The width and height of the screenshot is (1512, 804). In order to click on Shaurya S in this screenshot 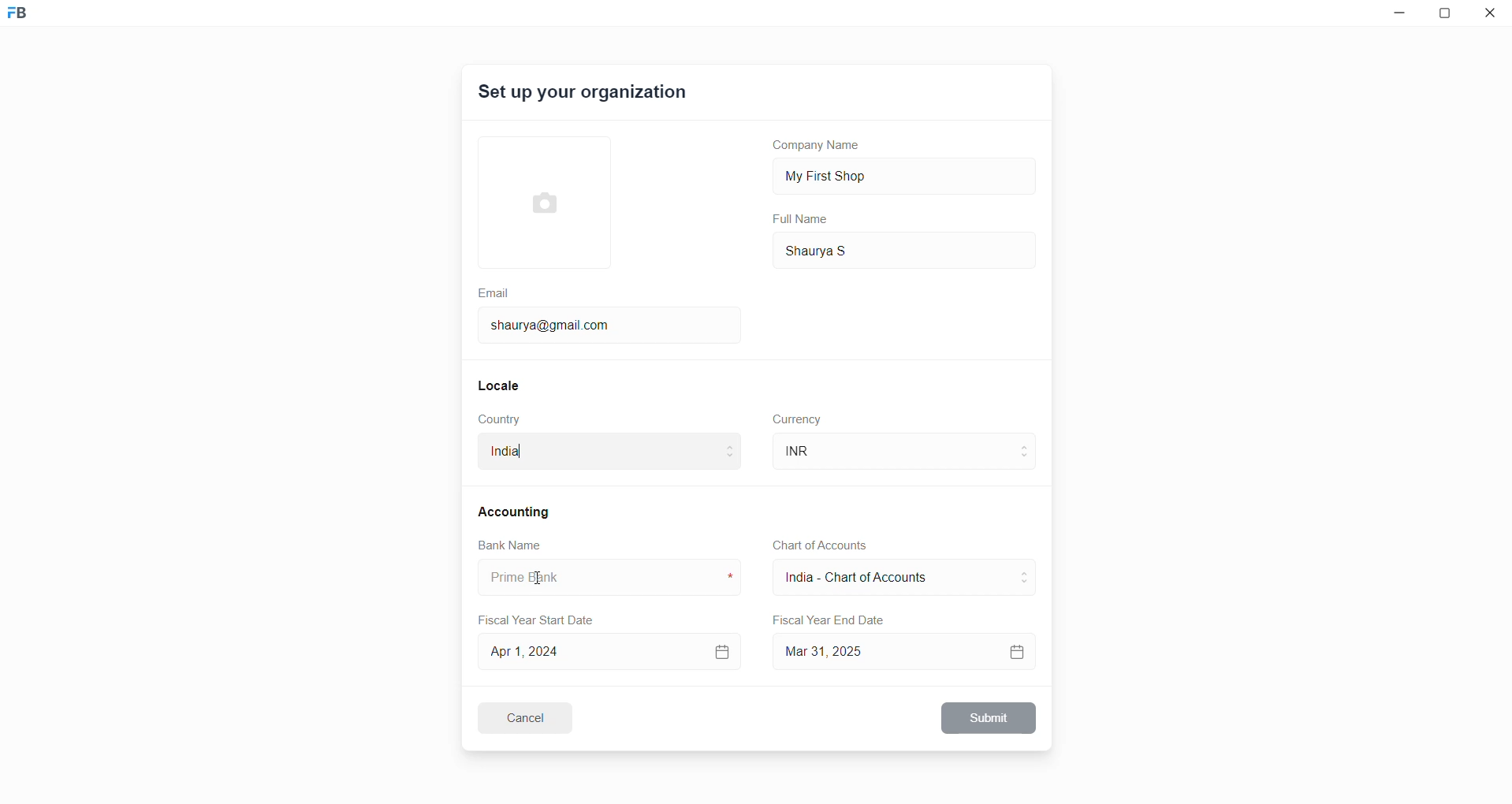, I will do `click(840, 249)`.